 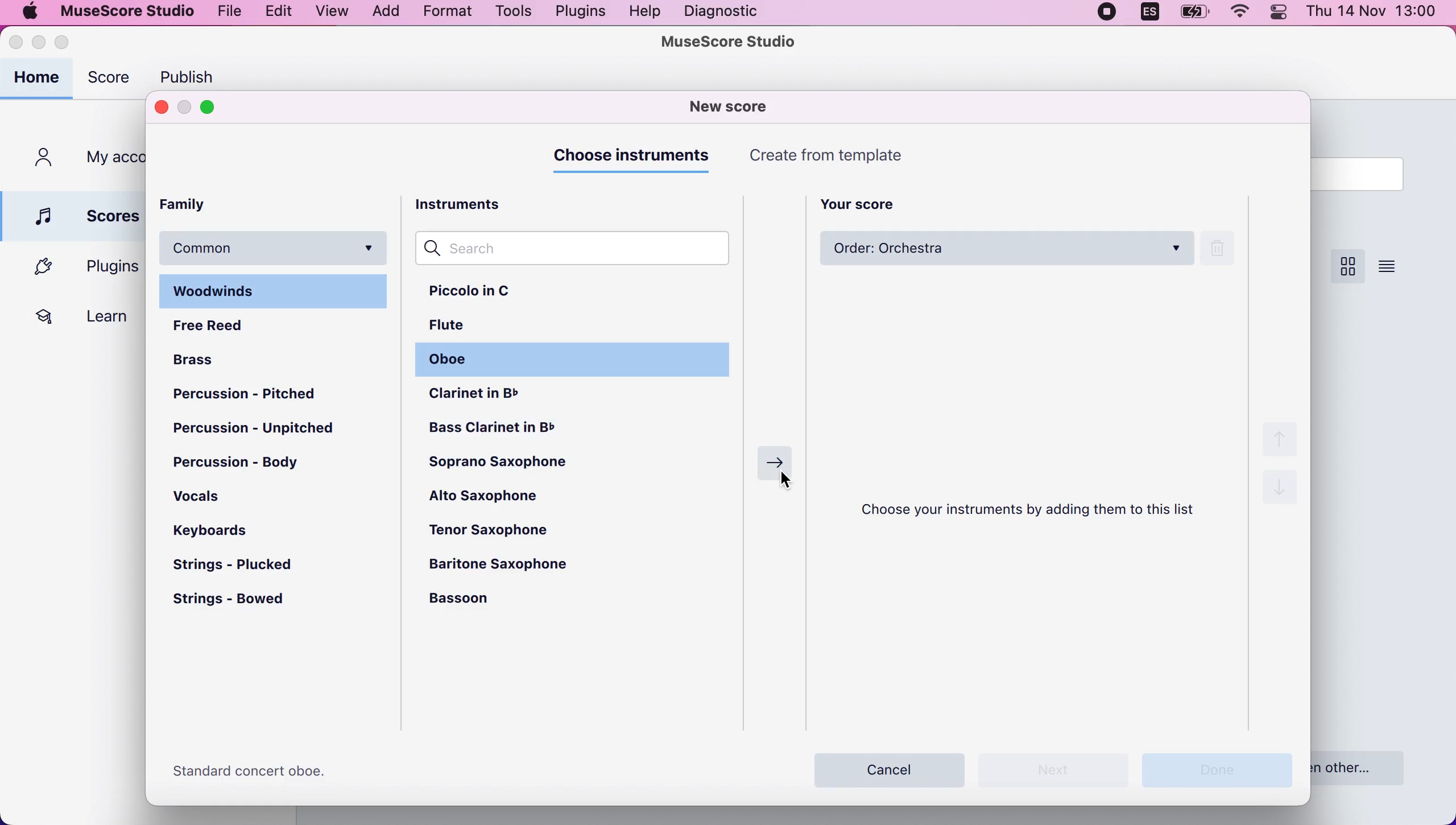 I want to click on percussion-pitched, so click(x=257, y=394).